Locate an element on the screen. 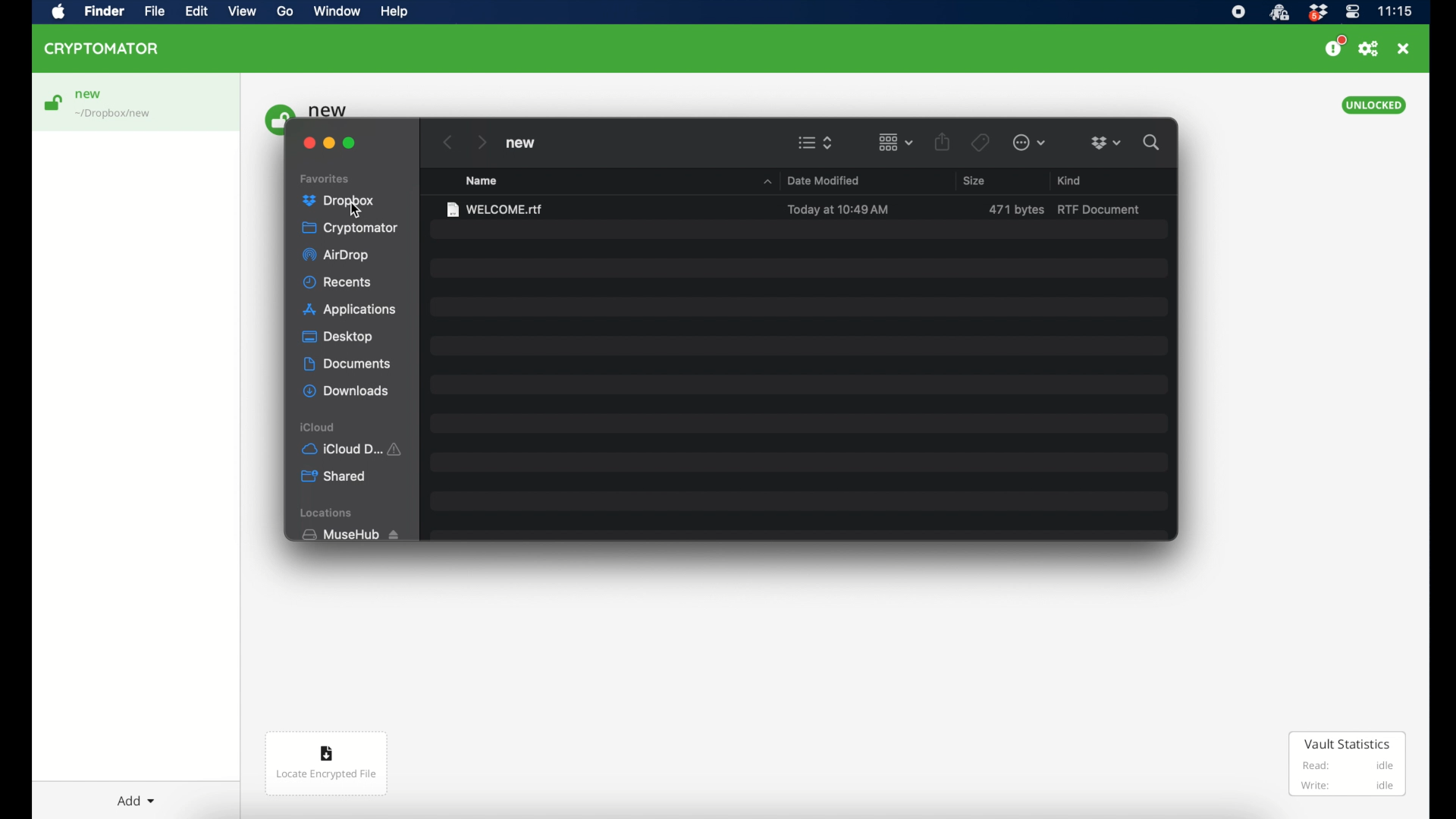  close is located at coordinates (1403, 49).